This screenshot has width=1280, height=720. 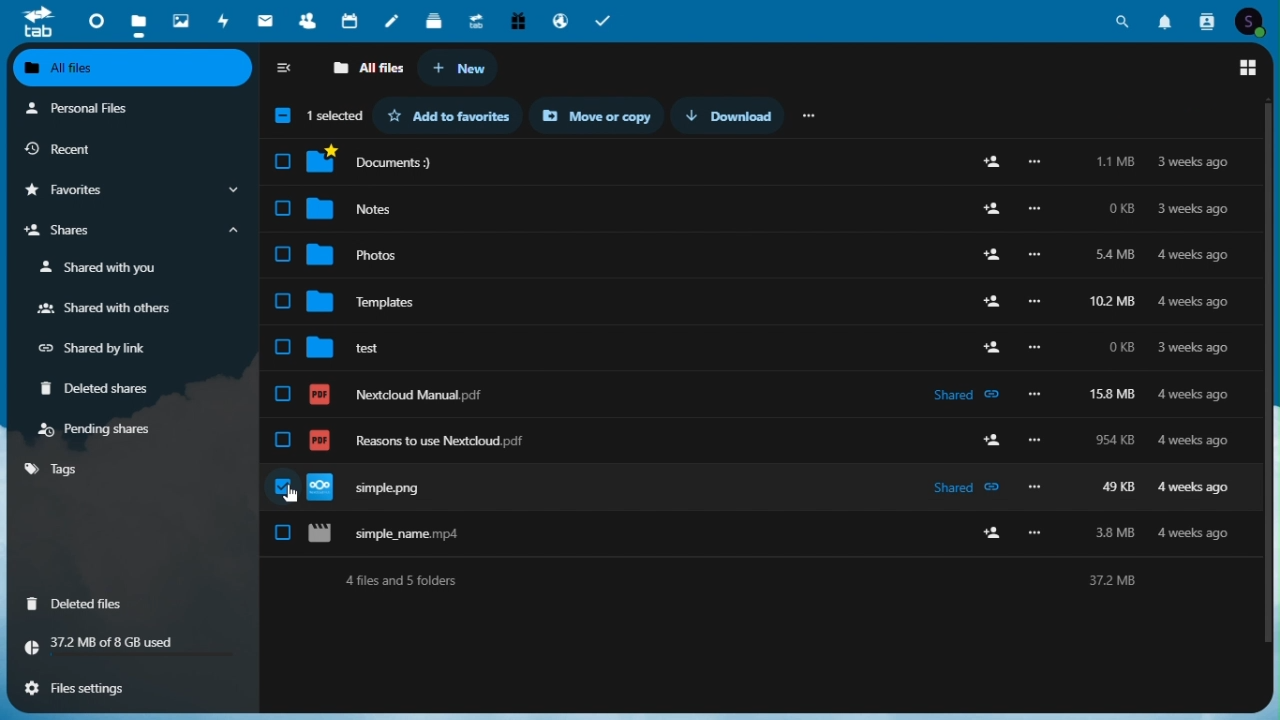 What do you see at coordinates (291, 494) in the screenshot?
I see `cursor` at bounding box center [291, 494].